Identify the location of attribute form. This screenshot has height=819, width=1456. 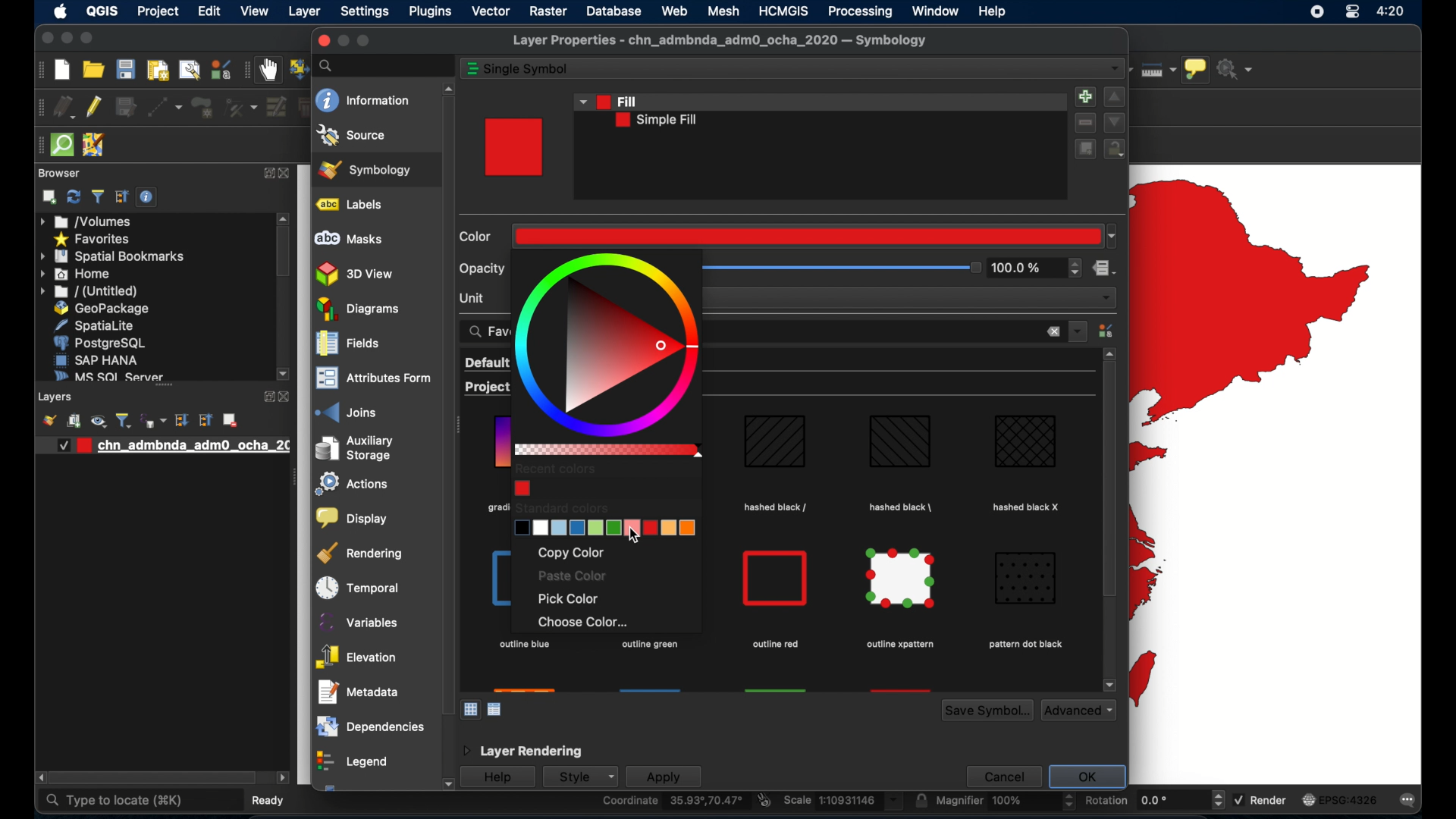
(370, 379).